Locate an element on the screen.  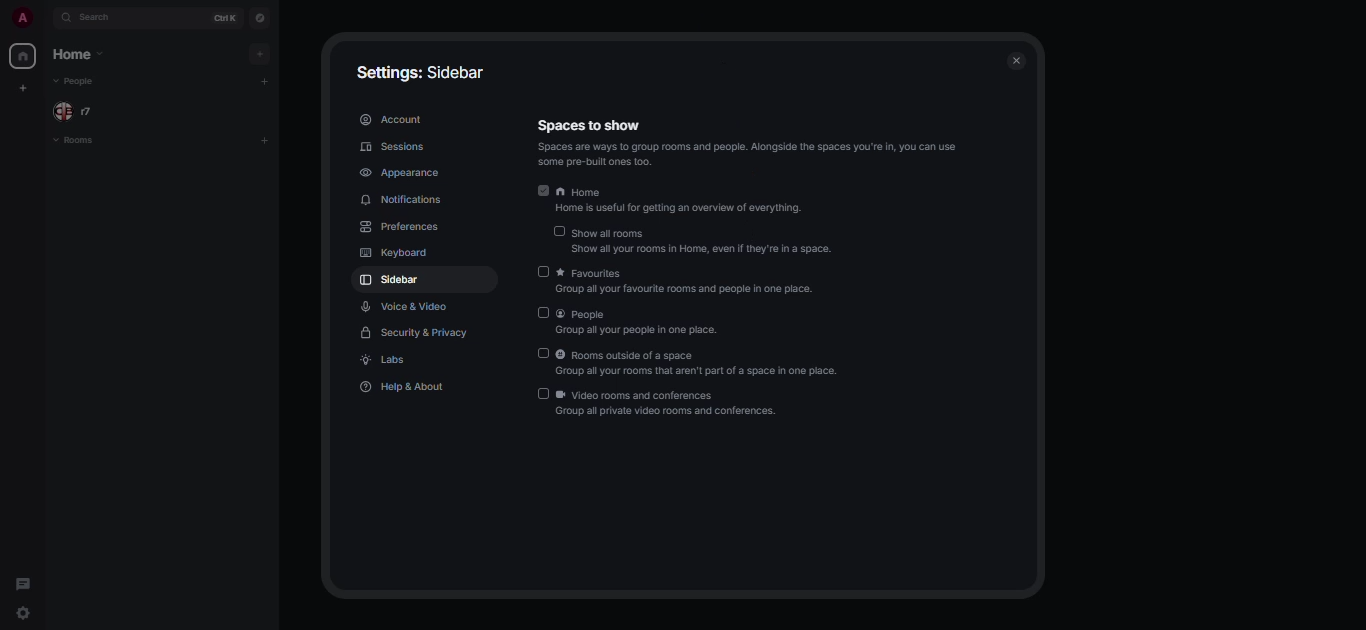
add is located at coordinates (268, 83).